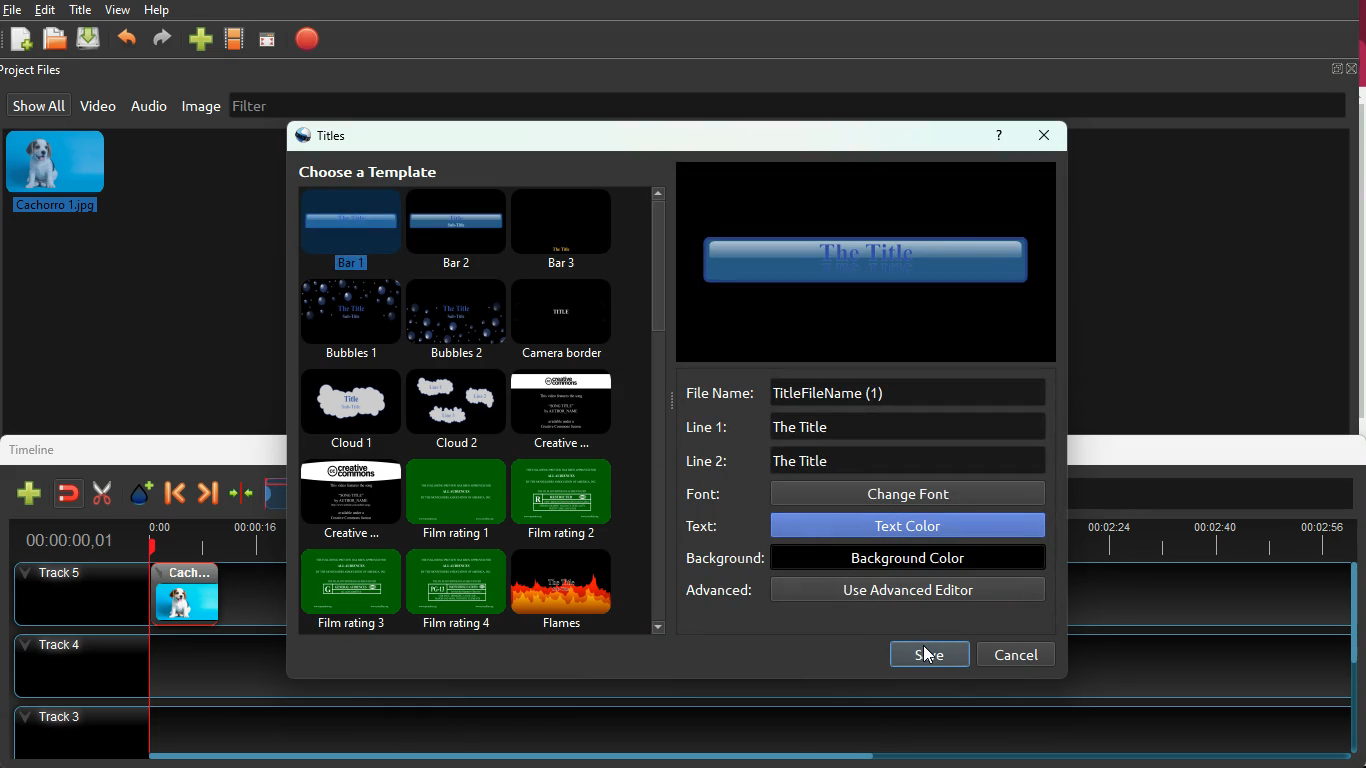 The height and width of the screenshot is (768, 1366). What do you see at coordinates (67, 493) in the screenshot?
I see `join` at bounding box center [67, 493].